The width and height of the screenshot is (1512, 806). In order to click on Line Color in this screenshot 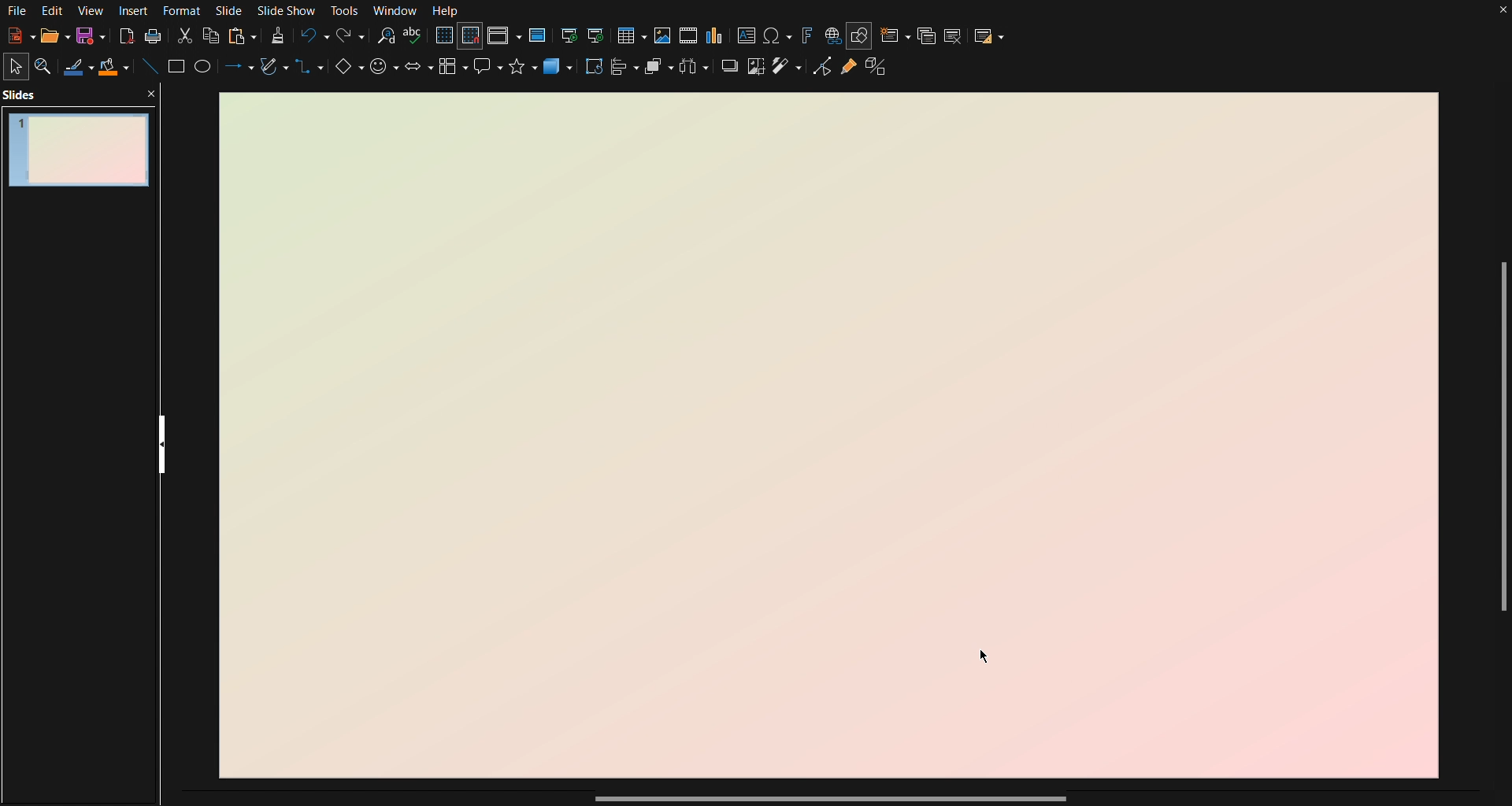, I will do `click(78, 68)`.